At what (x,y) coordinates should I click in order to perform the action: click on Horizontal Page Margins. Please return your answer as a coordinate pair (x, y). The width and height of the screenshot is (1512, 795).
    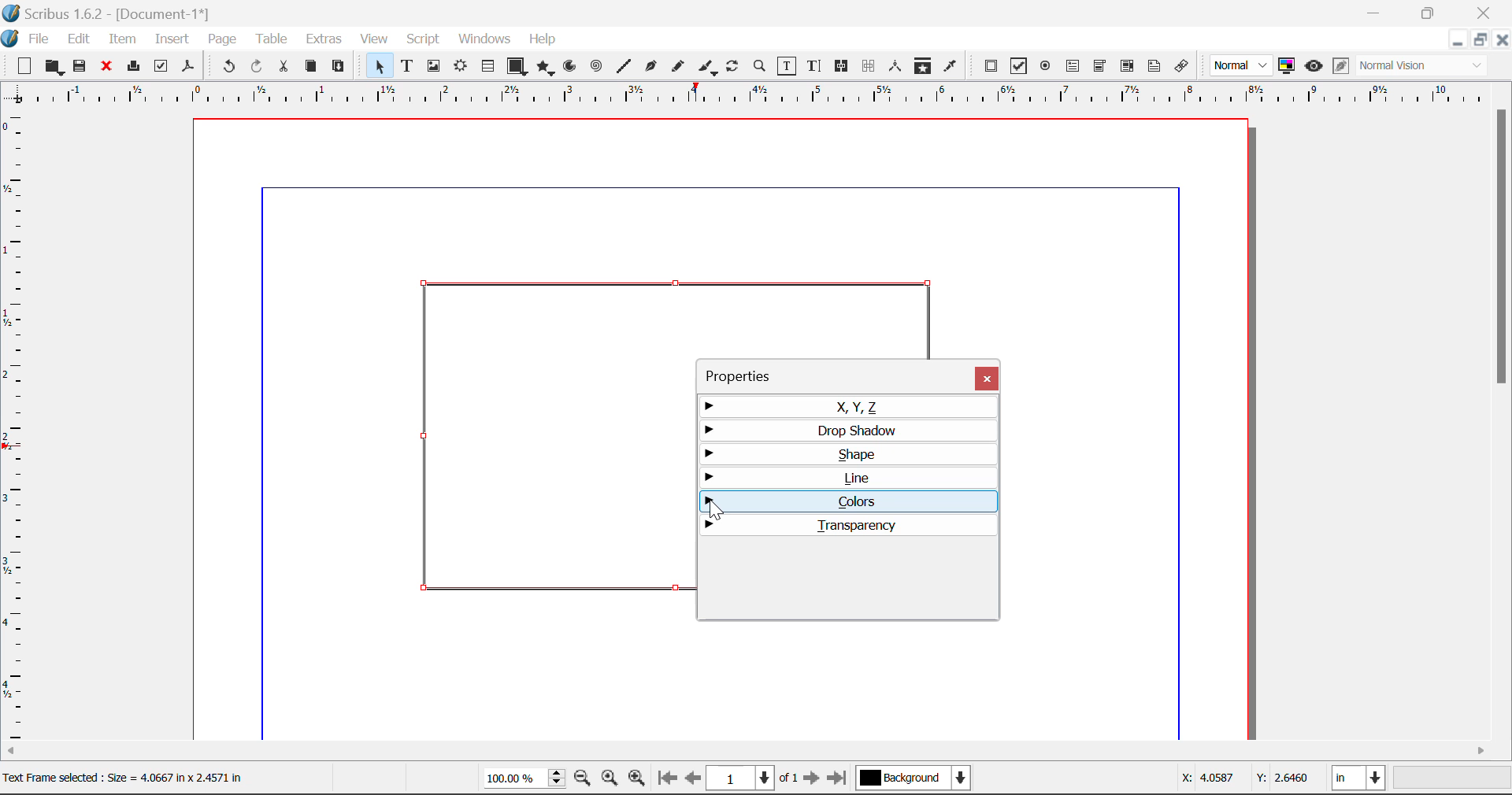
    Looking at the image, I should click on (17, 427).